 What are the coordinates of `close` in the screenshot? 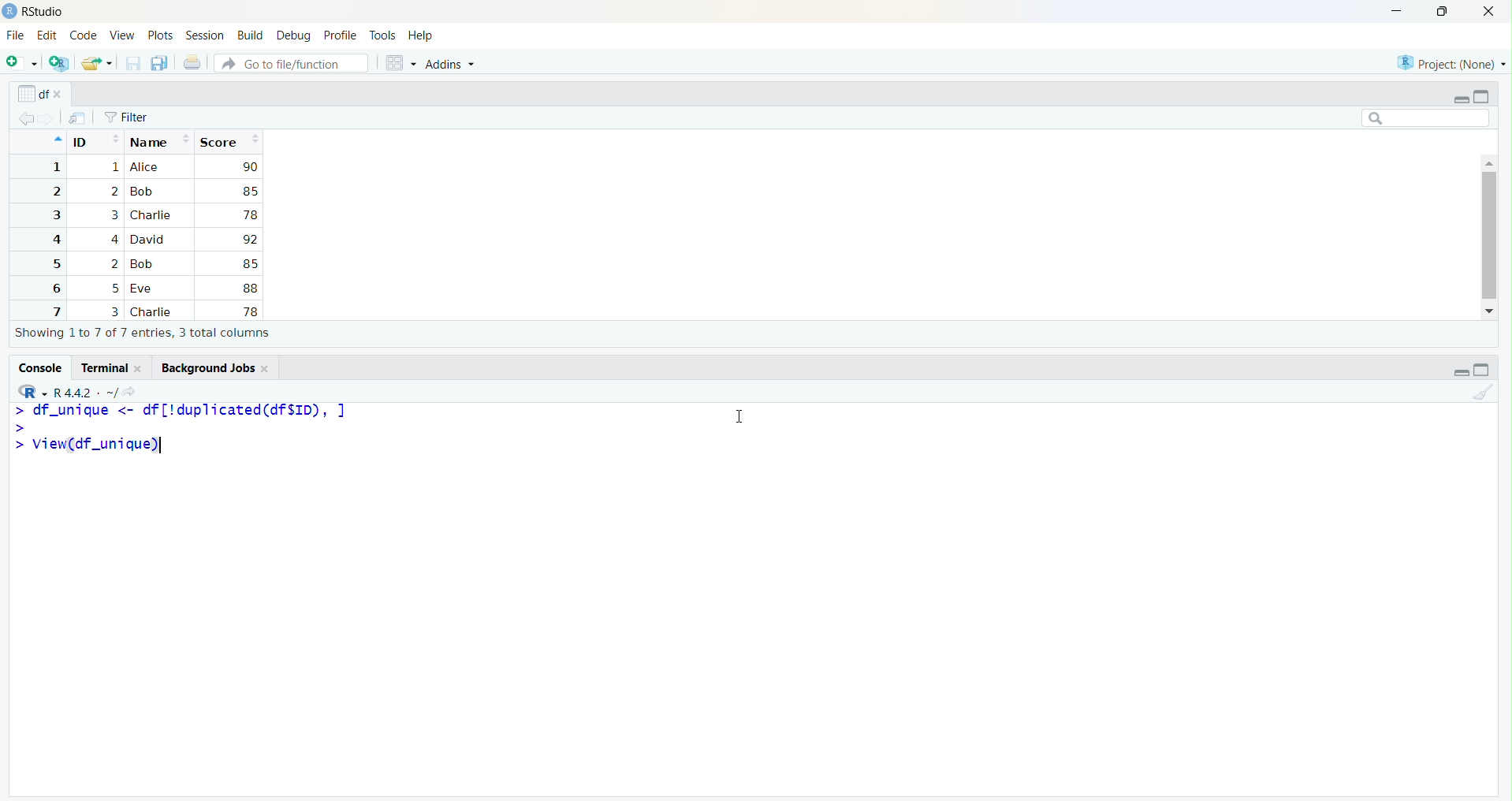 It's located at (141, 368).